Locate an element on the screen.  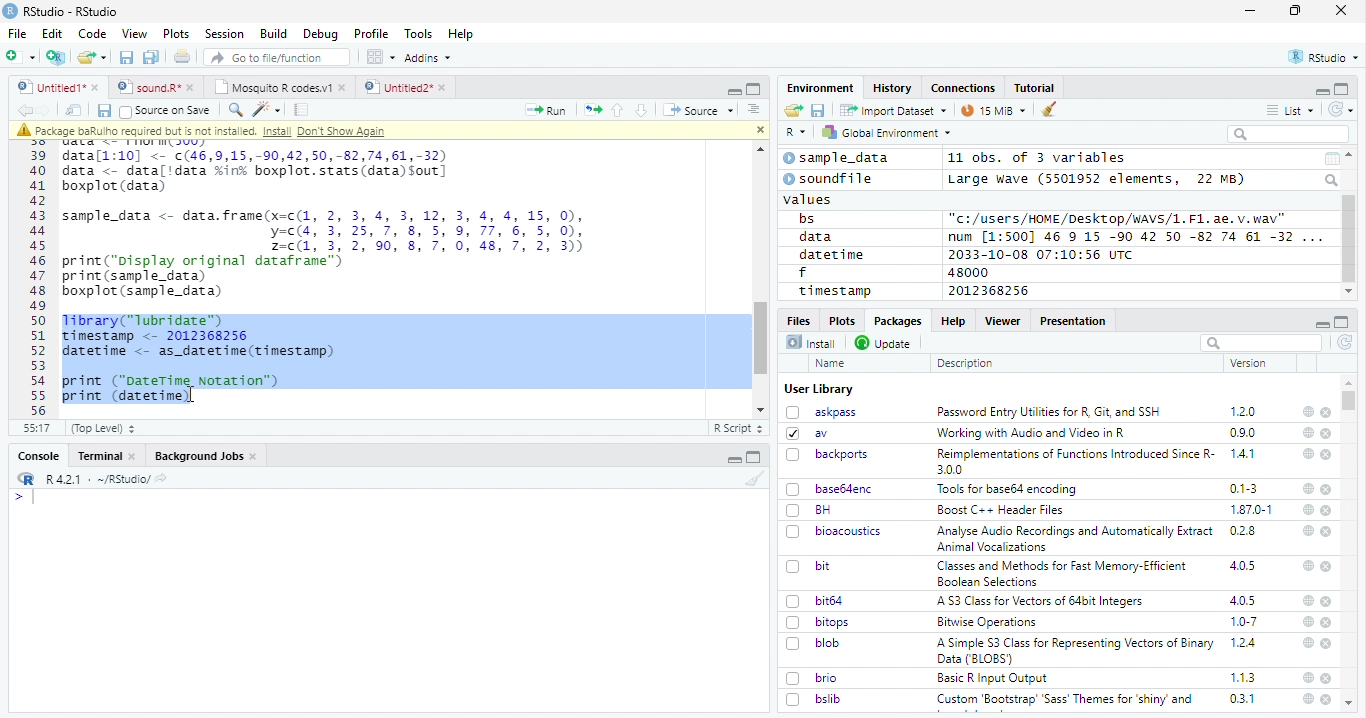
Addins is located at coordinates (428, 58).